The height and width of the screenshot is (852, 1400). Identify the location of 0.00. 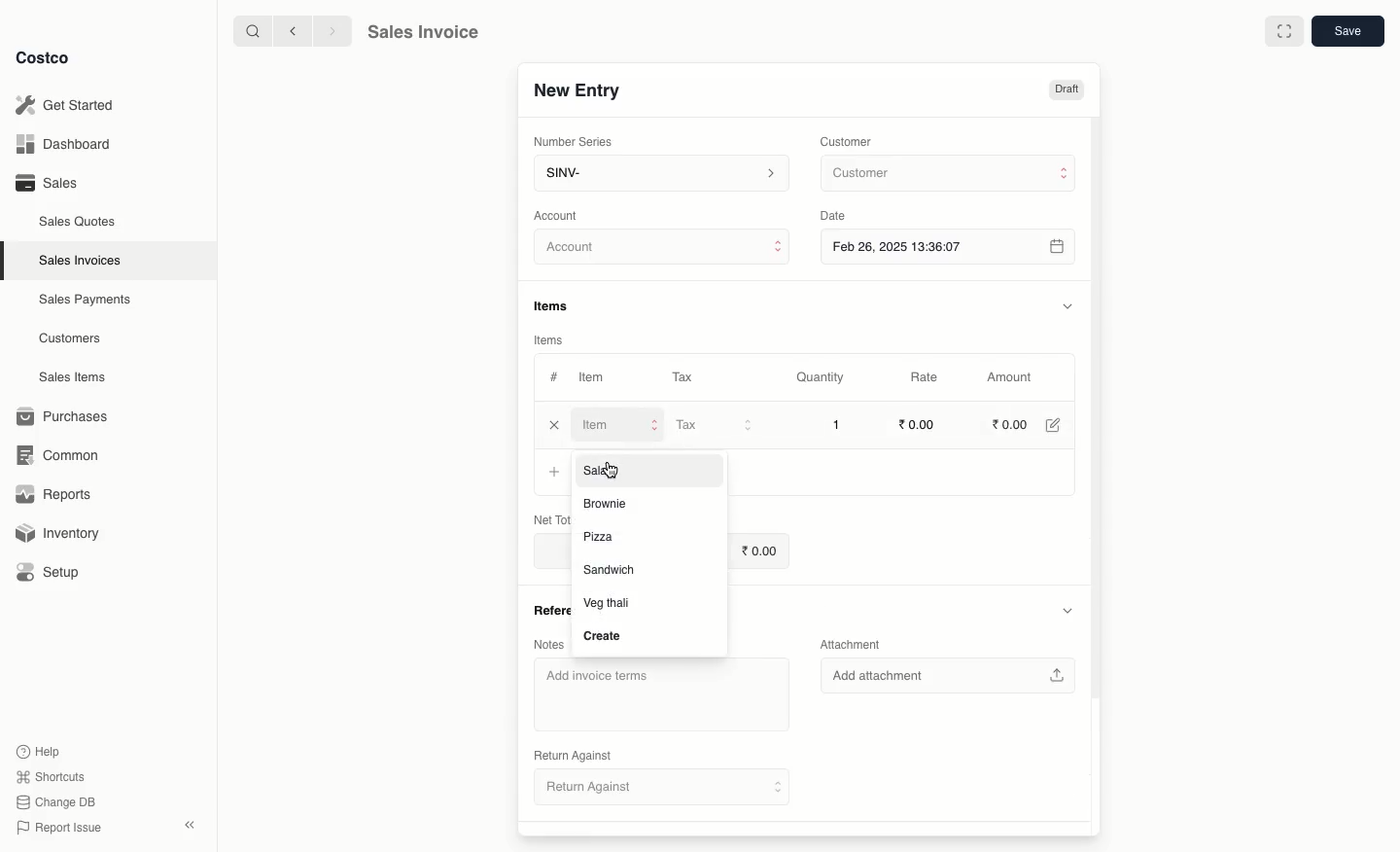
(1010, 423).